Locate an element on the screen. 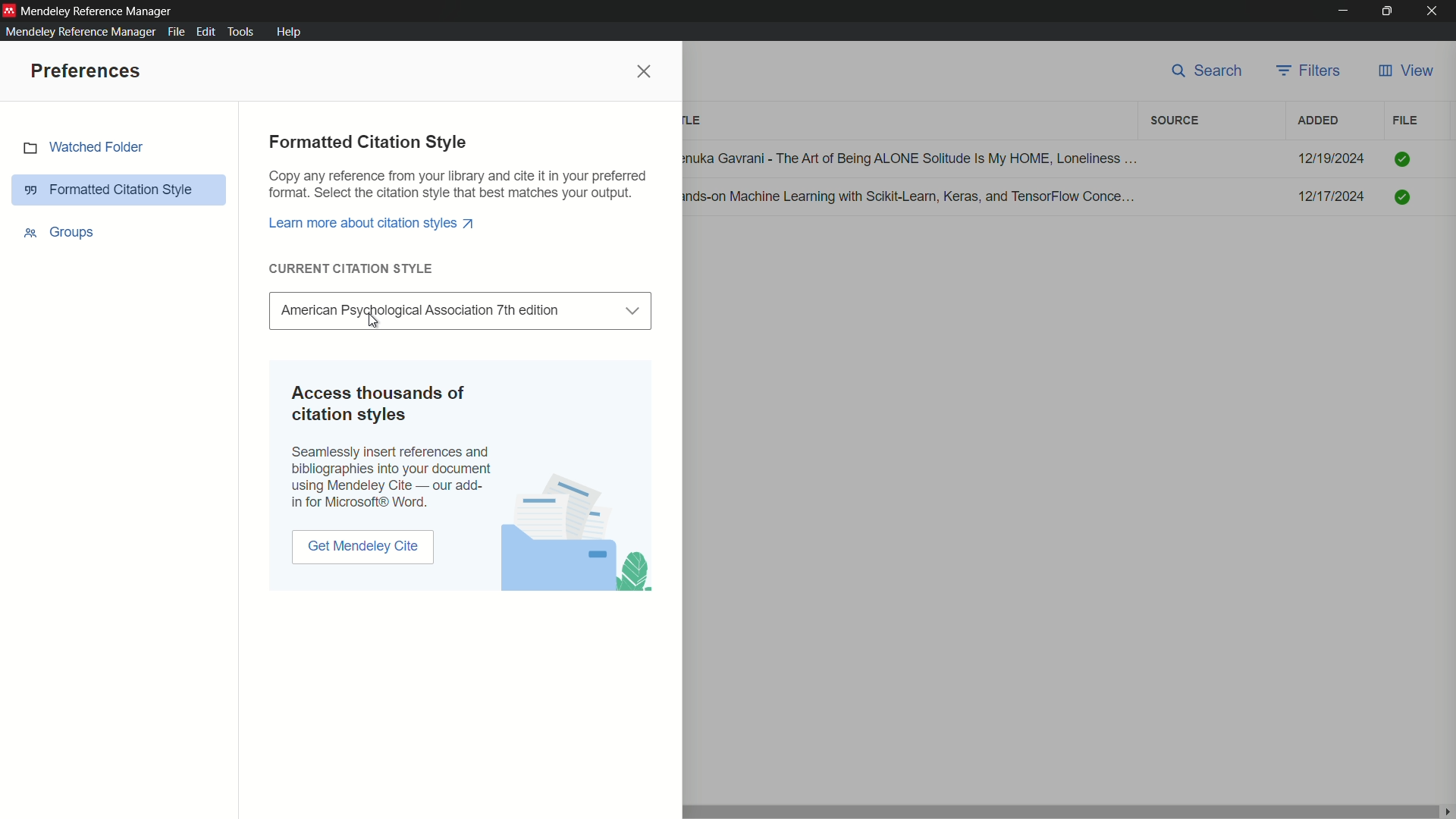  groups is located at coordinates (60, 231).